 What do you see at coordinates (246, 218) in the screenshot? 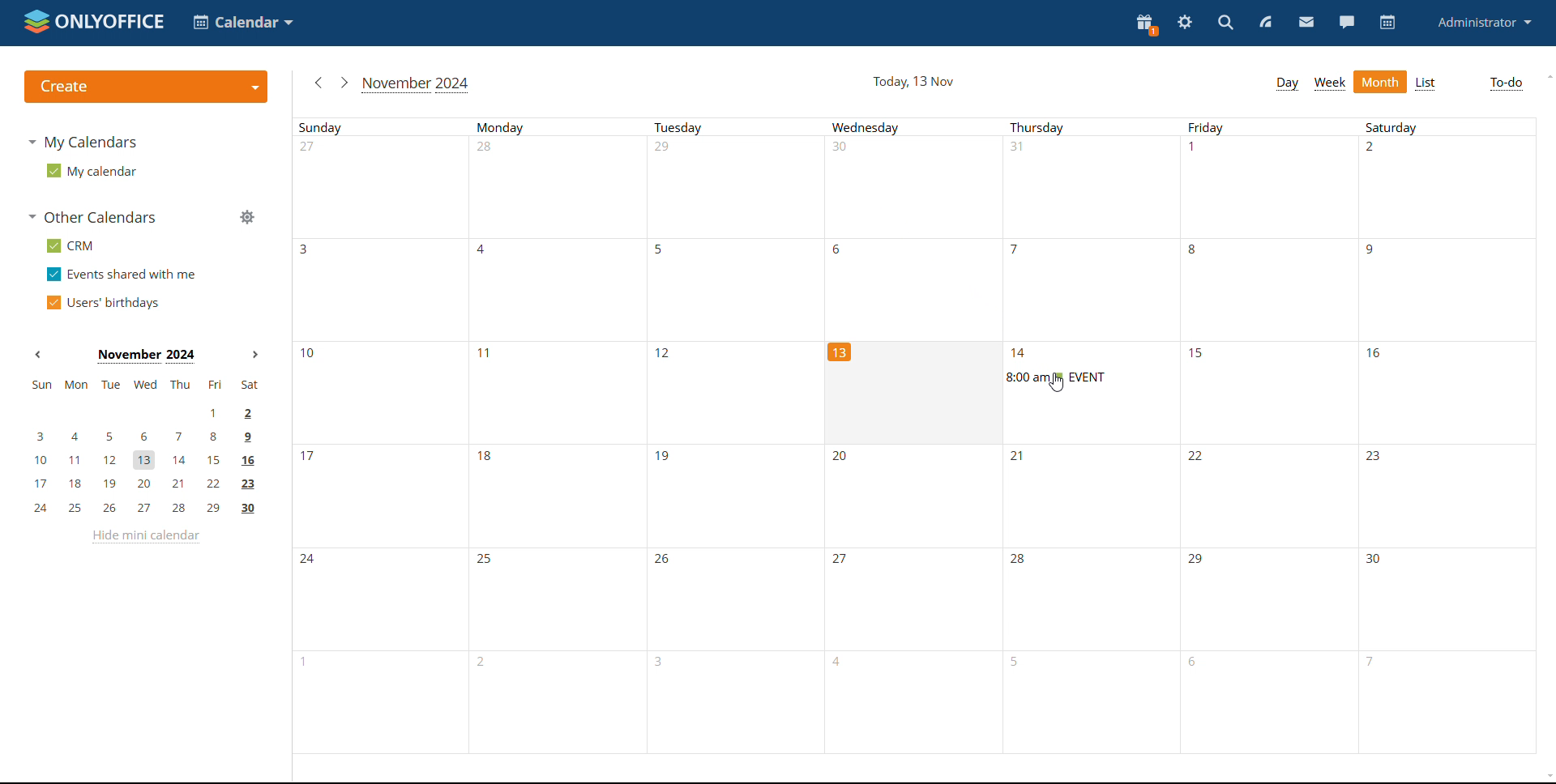
I see `manage` at bounding box center [246, 218].